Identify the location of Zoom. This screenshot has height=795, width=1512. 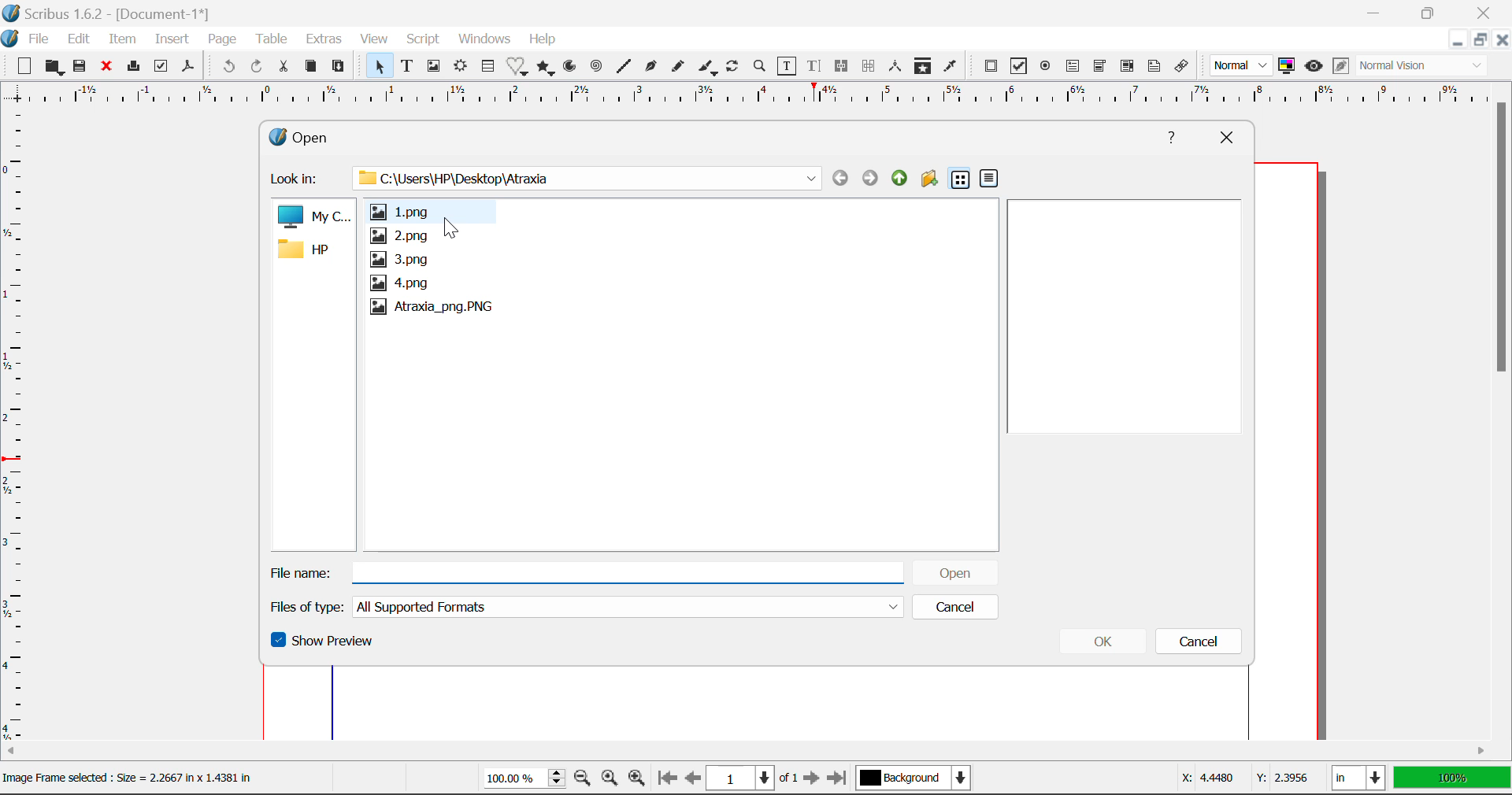
(762, 68).